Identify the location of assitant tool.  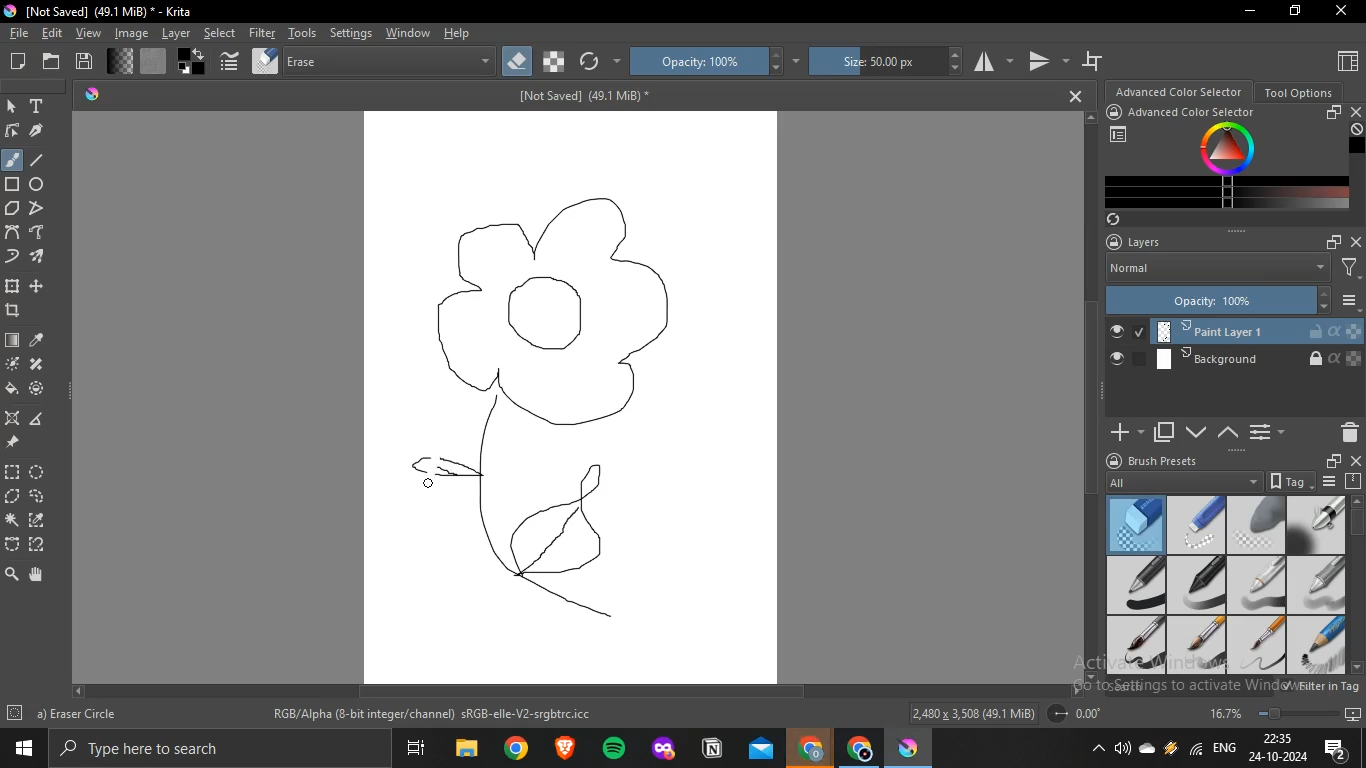
(14, 418).